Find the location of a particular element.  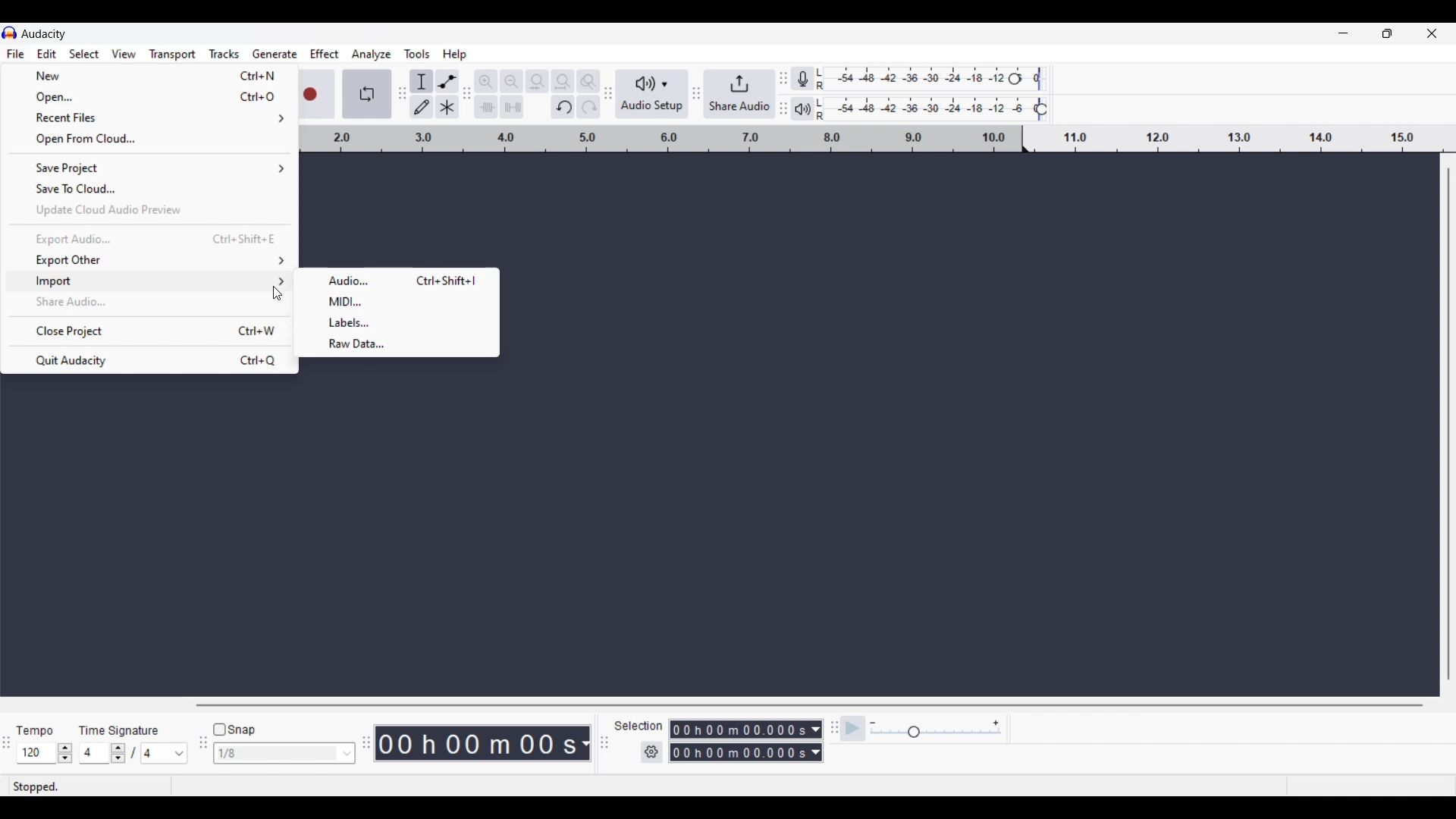

Audio   Ctrl+Shift+I is located at coordinates (397, 280).